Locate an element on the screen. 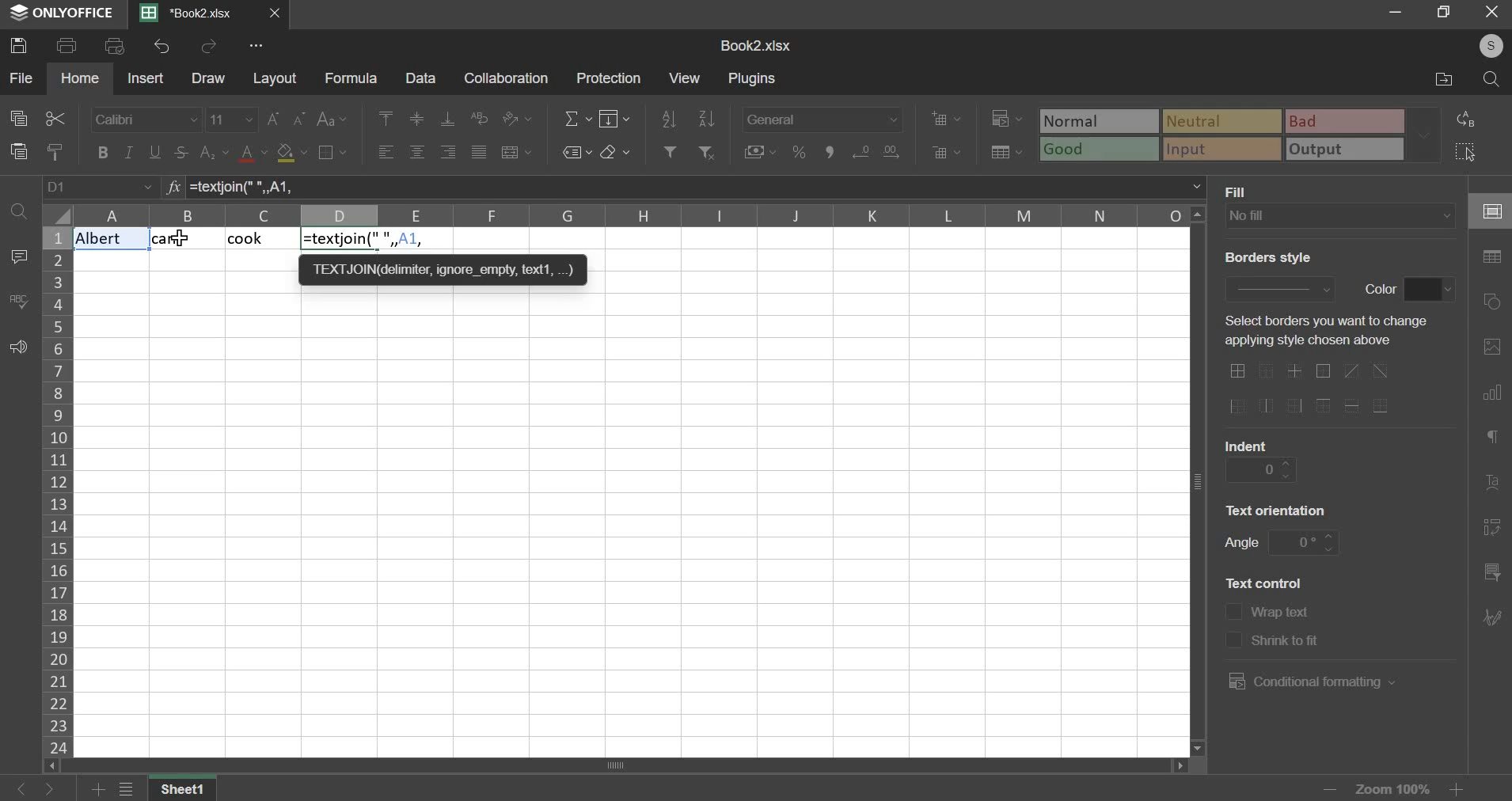  remove filter is located at coordinates (709, 151).